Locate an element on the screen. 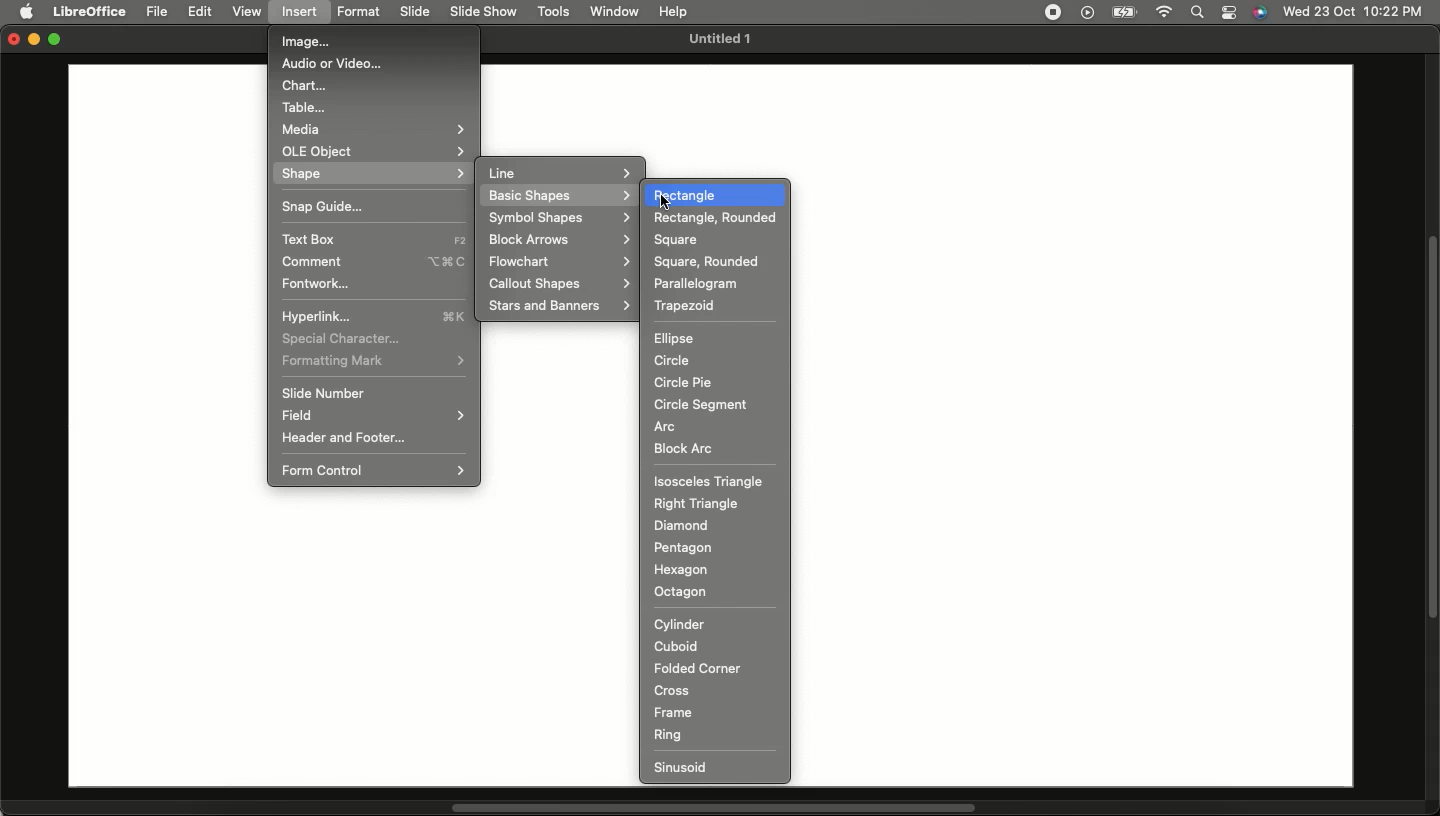 The width and height of the screenshot is (1440, 816). Video player is located at coordinates (1085, 13).